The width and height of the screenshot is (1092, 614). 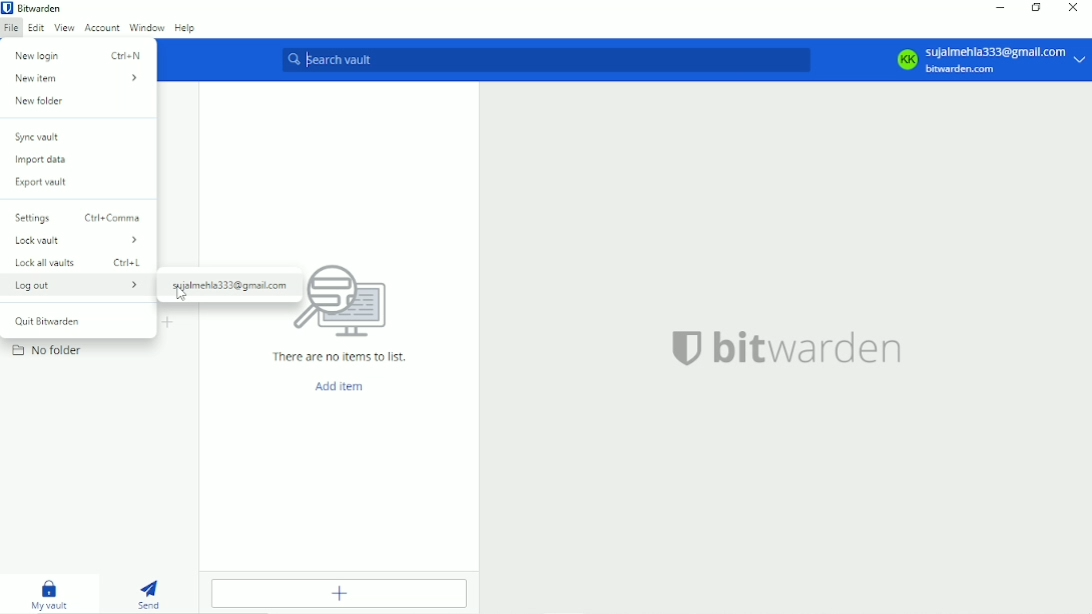 What do you see at coordinates (906, 59) in the screenshot?
I see `KK` at bounding box center [906, 59].